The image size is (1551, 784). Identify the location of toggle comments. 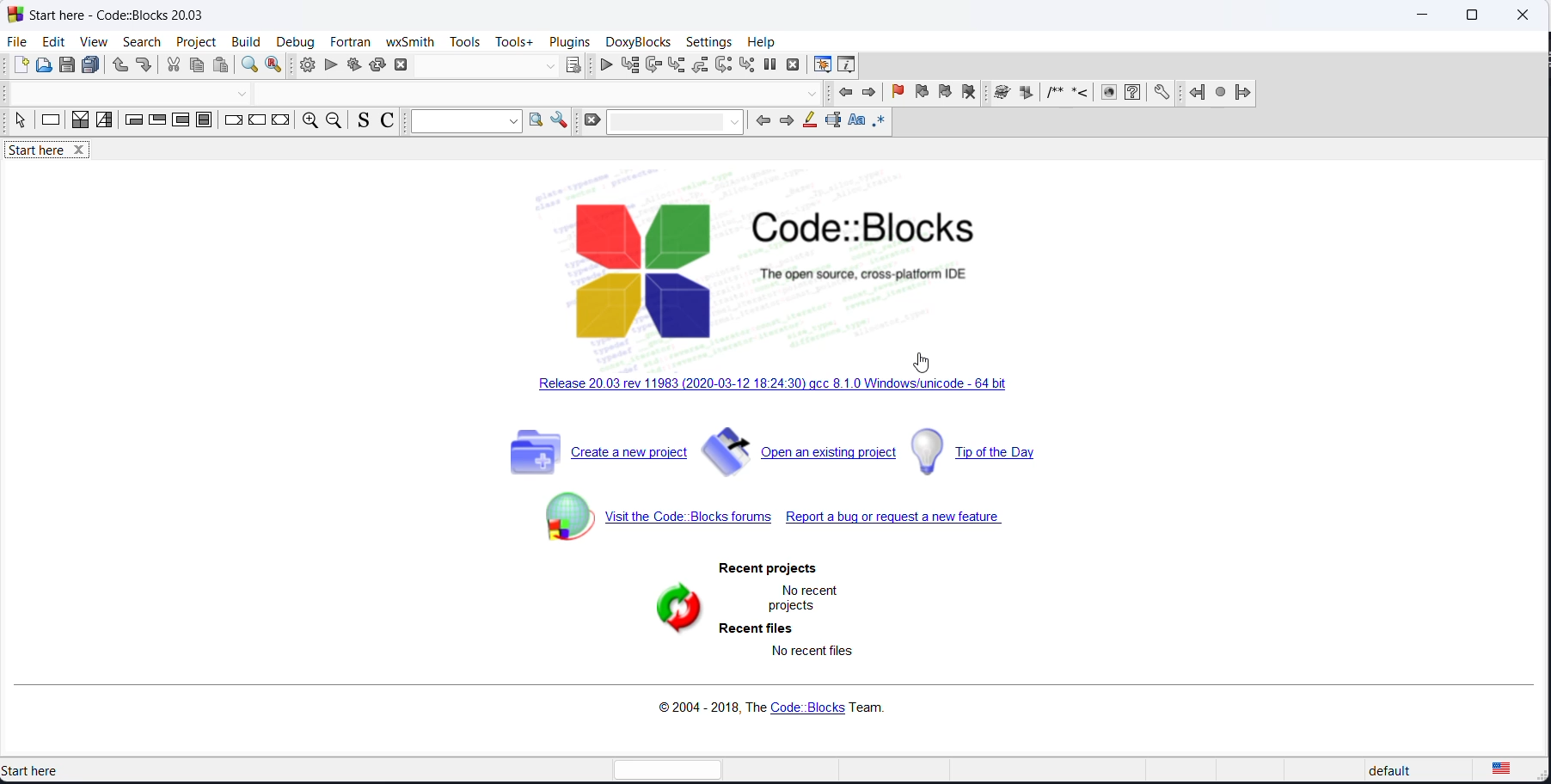
(391, 121).